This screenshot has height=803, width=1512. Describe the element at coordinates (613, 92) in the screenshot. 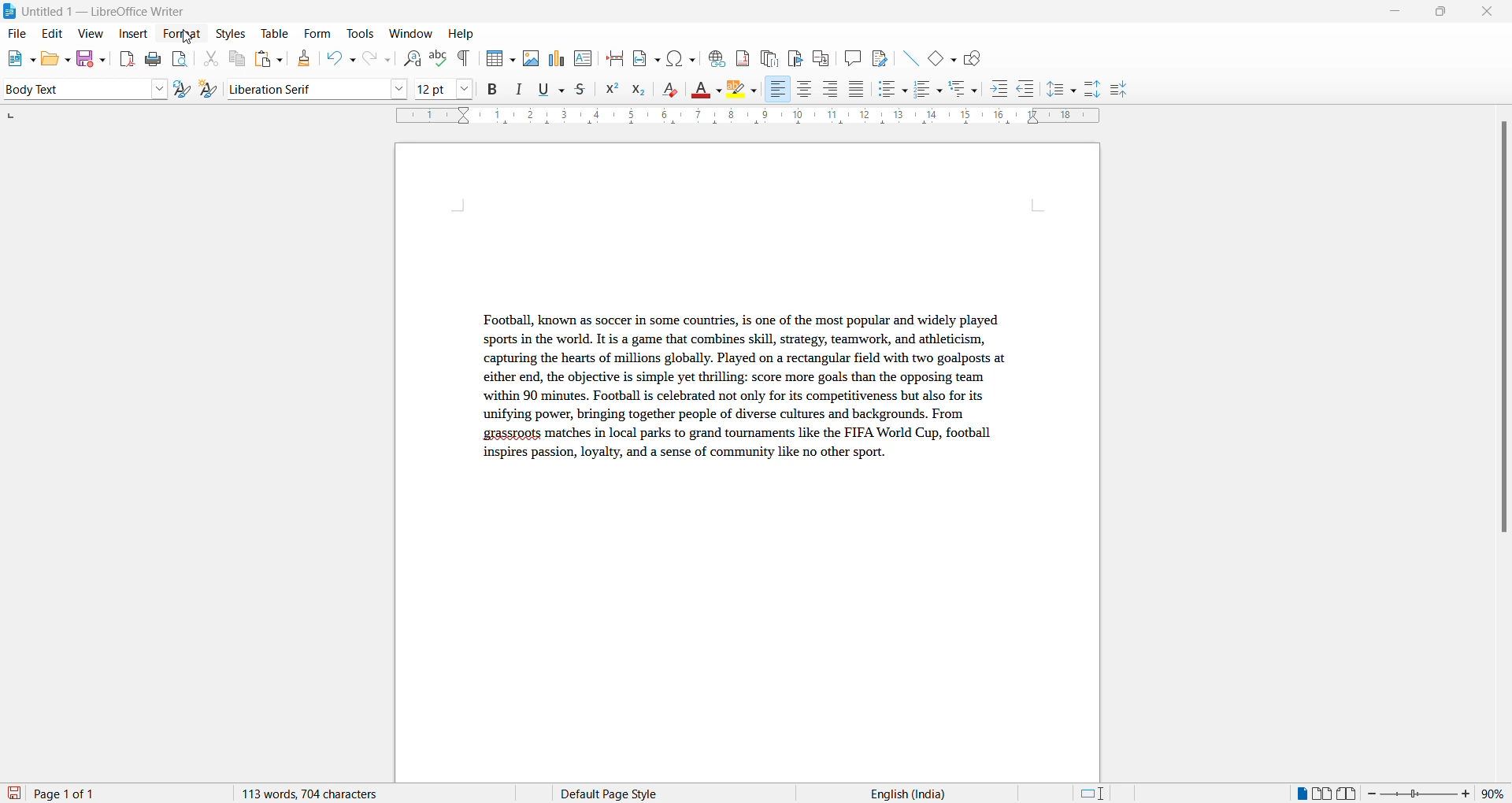

I see `superscript` at that location.